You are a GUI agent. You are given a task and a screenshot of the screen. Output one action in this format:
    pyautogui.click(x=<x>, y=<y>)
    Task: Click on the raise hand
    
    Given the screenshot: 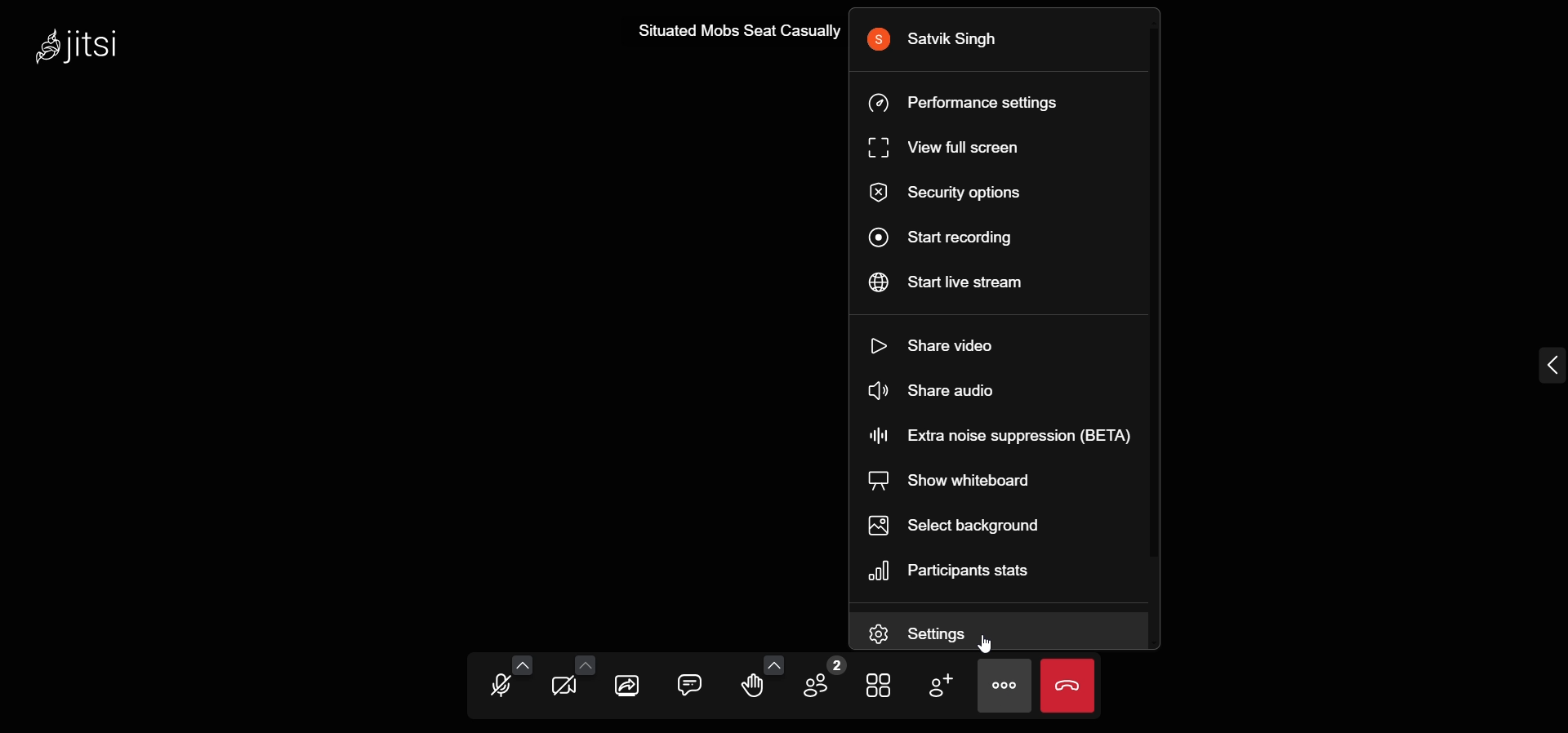 What is the action you would take?
    pyautogui.click(x=755, y=687)
    